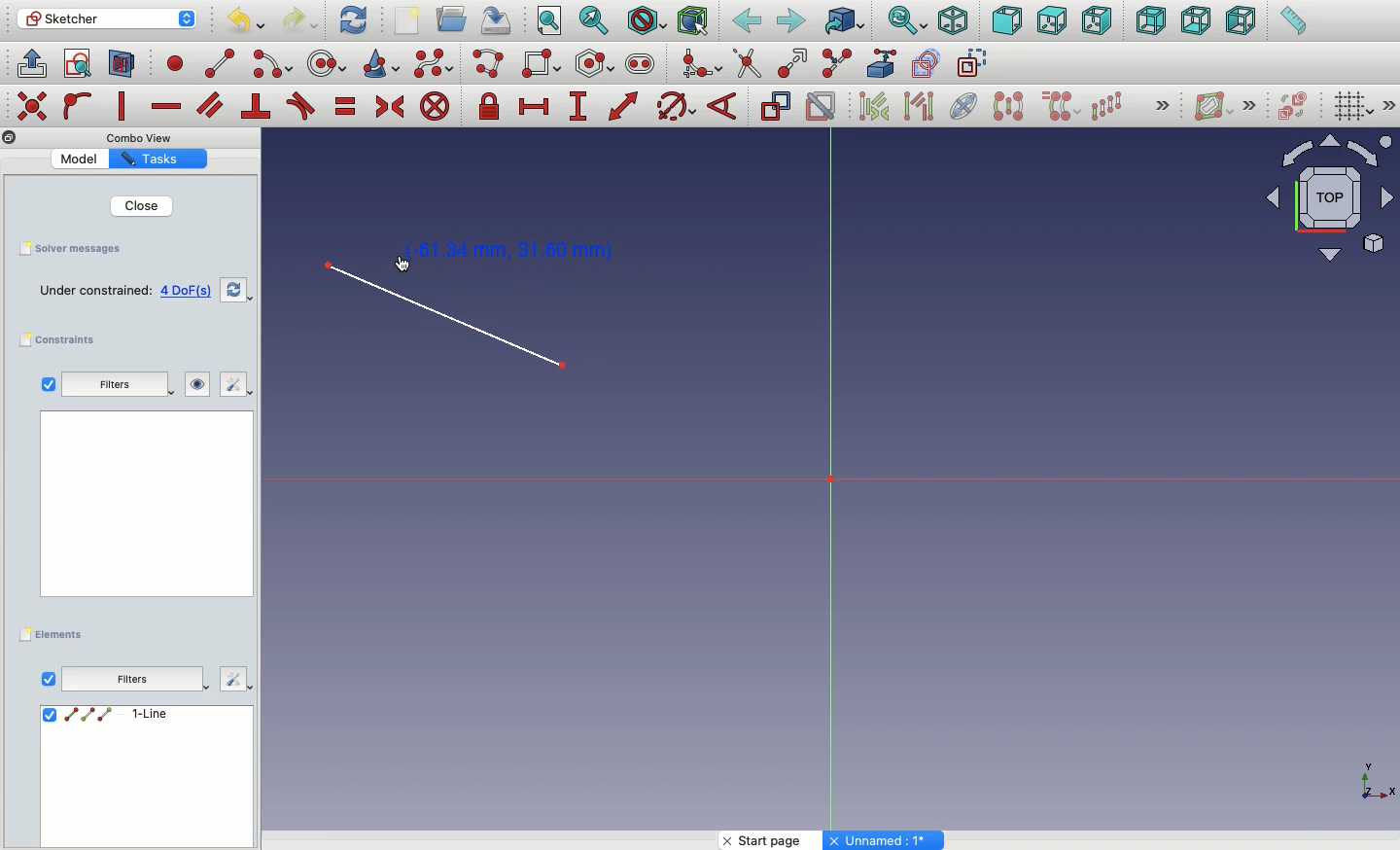 This screenshot has height=850, width=1400. Describe the element at coordinates (221, 64) in the screenshot. I see `line` at that location.